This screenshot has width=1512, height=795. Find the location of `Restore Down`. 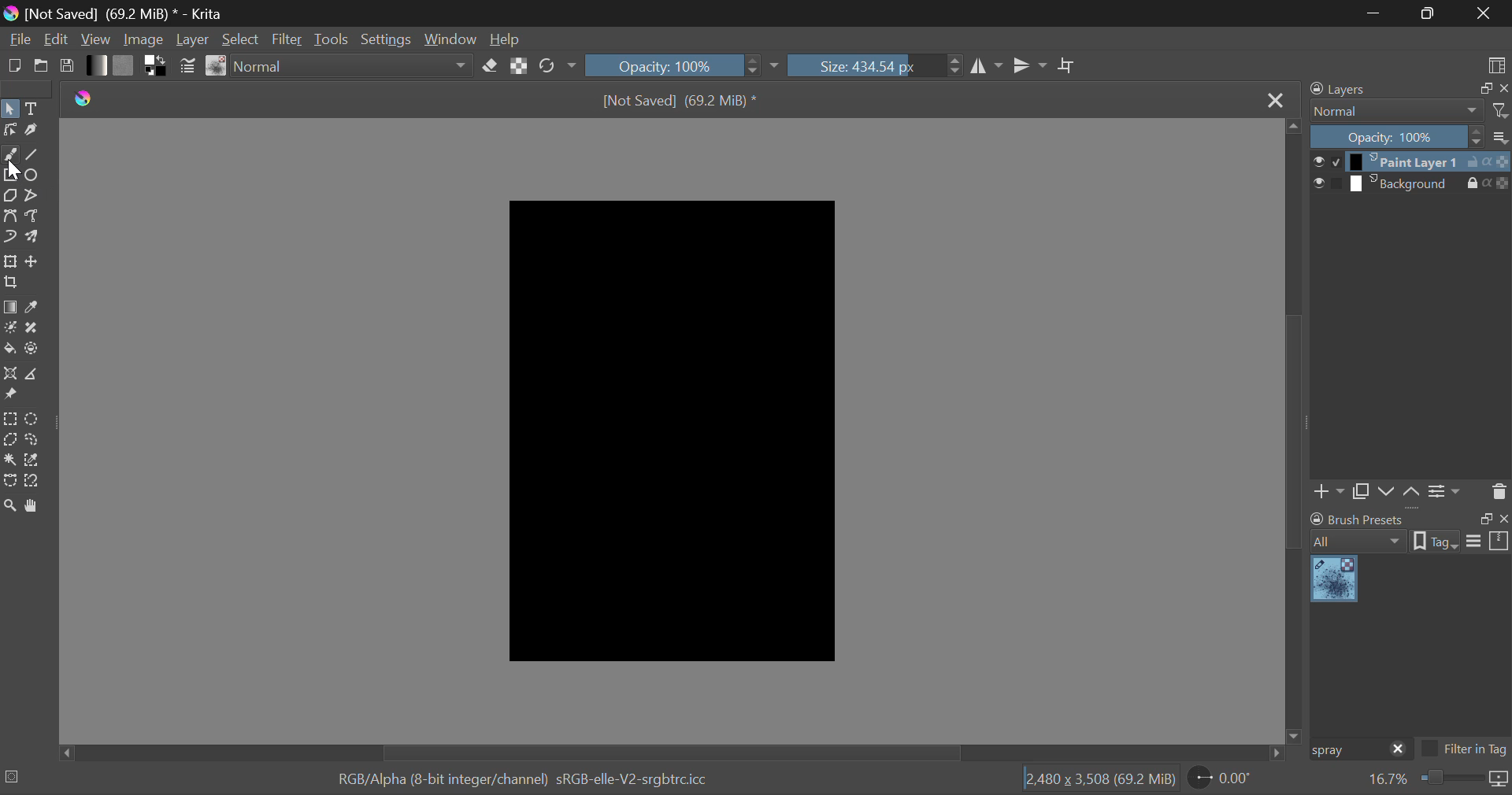

Restore Down is located at coordinates (1378, 13).